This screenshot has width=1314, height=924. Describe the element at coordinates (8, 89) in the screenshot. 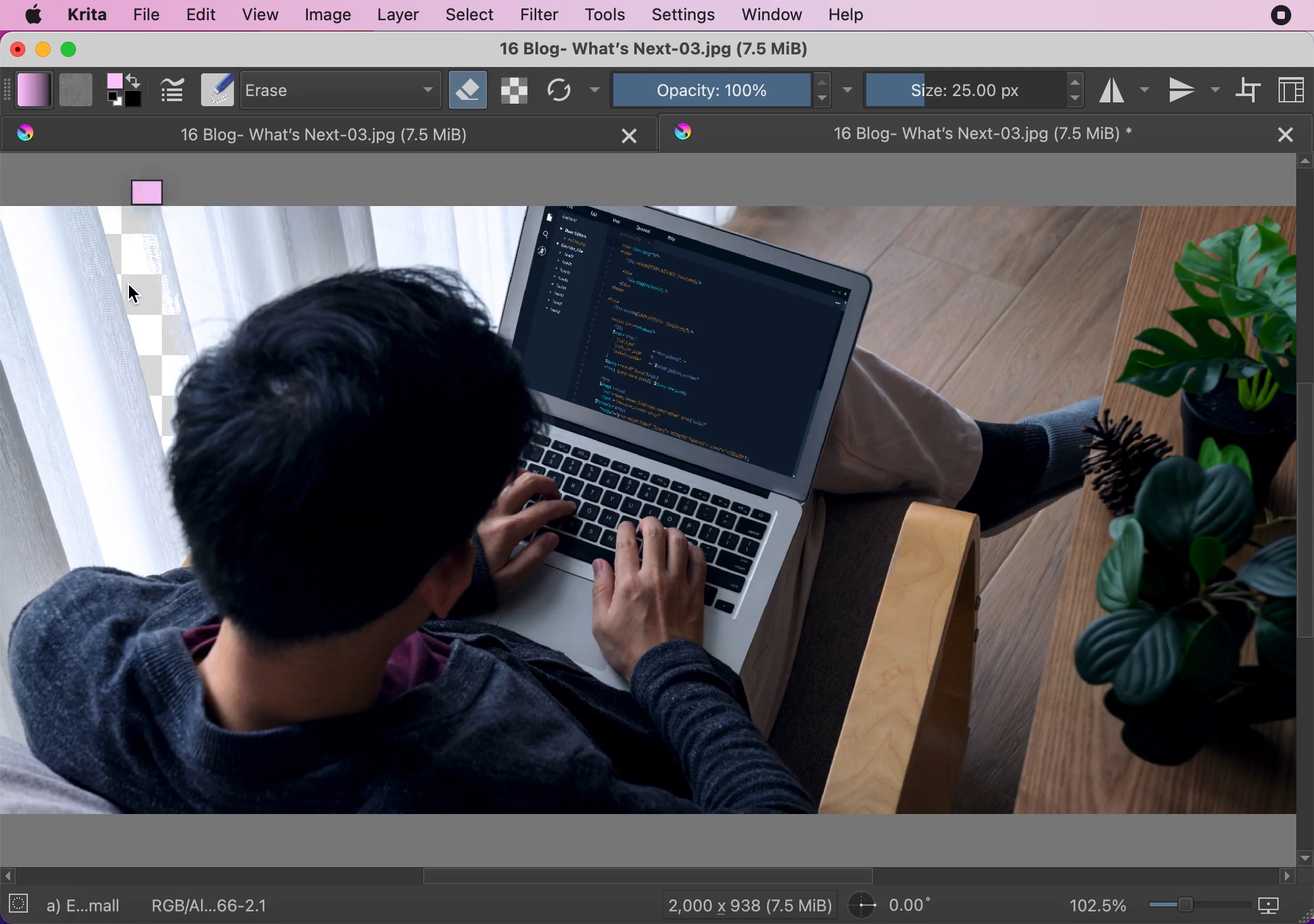

I see `expand bar` at that location.